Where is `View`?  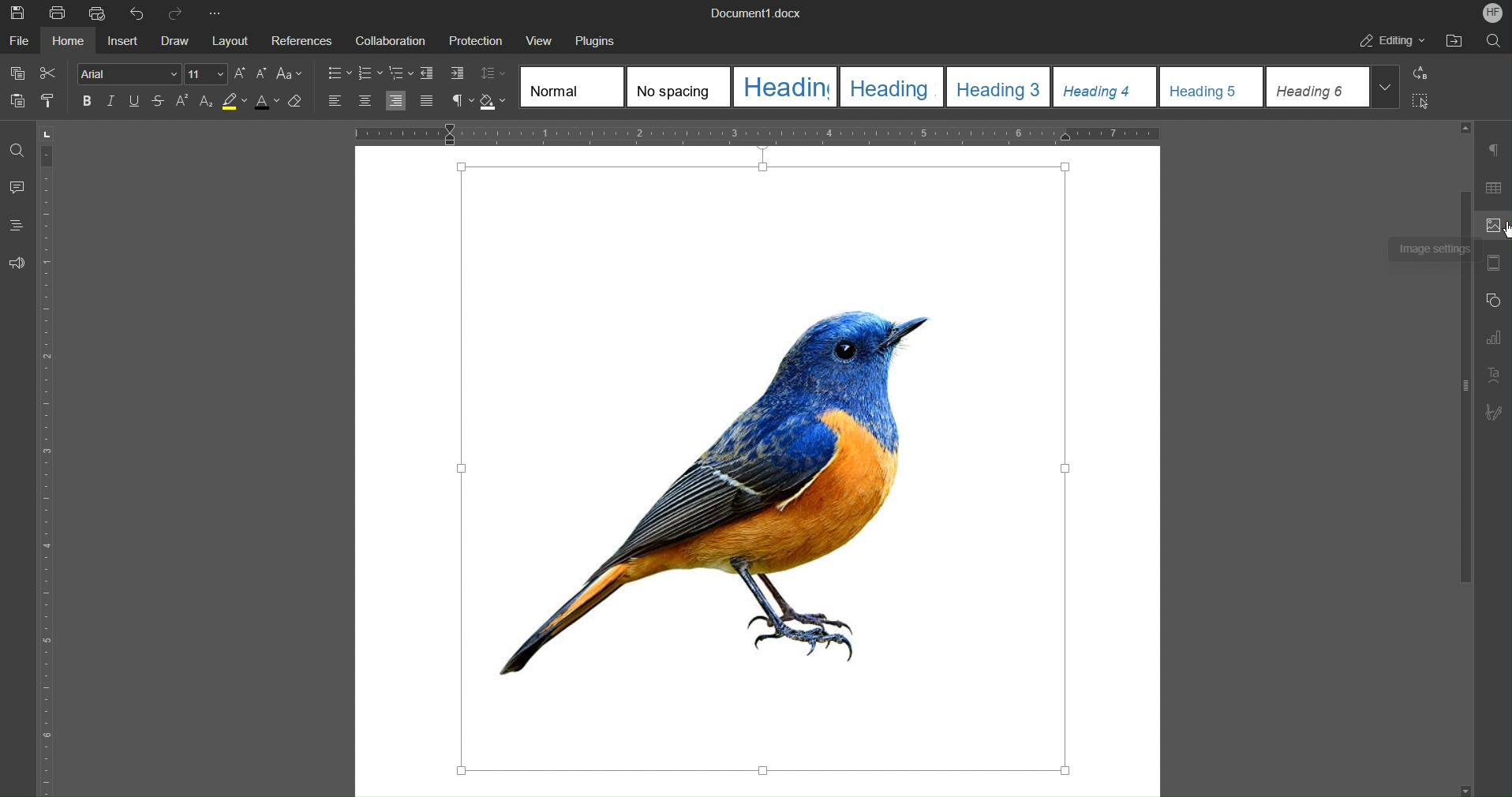
View is located at coordinates (531, 37).